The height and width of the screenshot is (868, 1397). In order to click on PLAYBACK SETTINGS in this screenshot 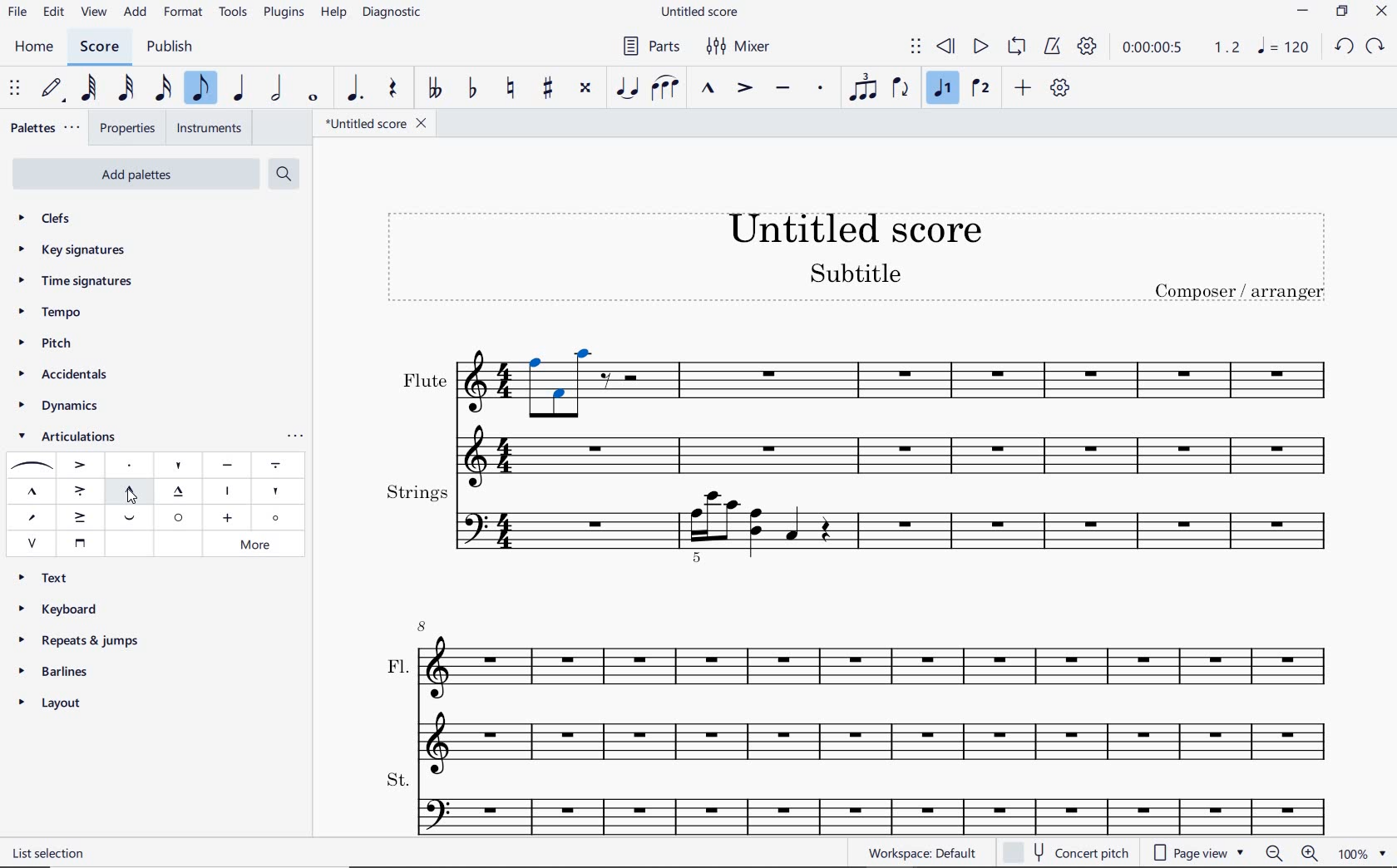, I will do `click(1087, 46)`.